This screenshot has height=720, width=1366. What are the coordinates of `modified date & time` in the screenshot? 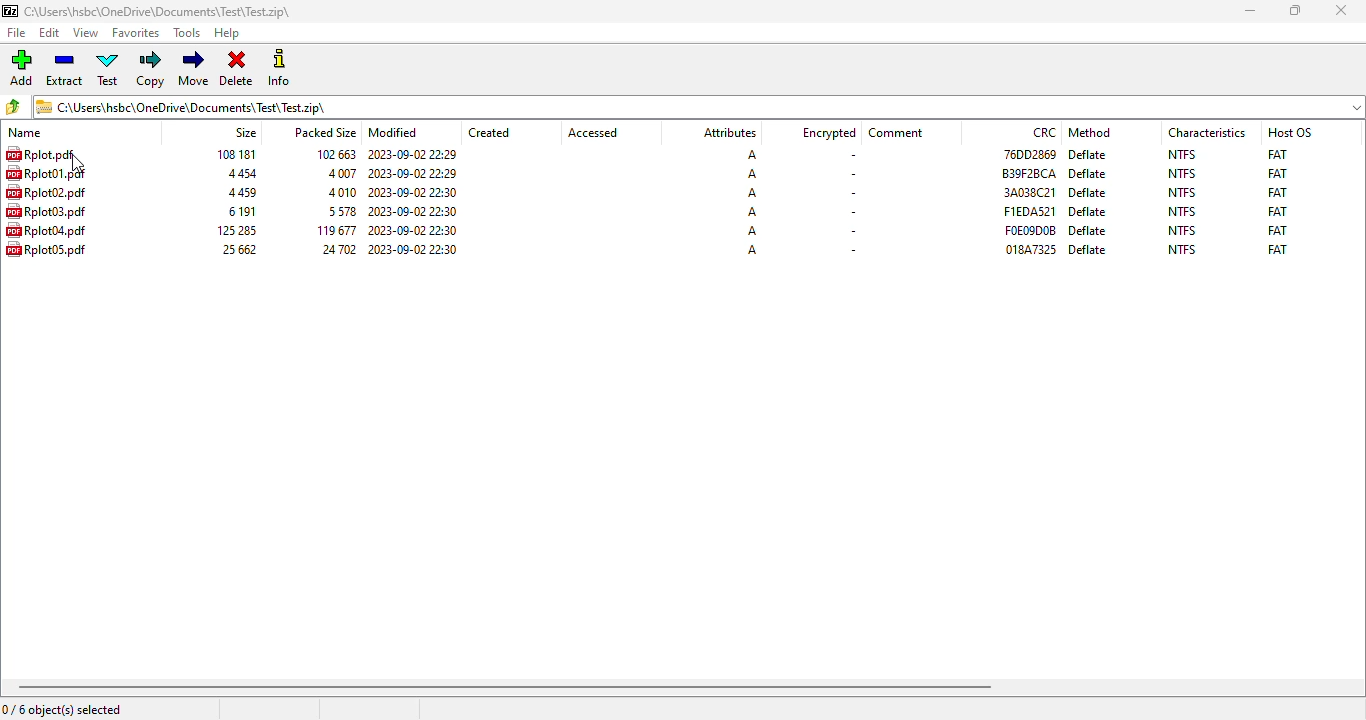 It's located at (413, 192).